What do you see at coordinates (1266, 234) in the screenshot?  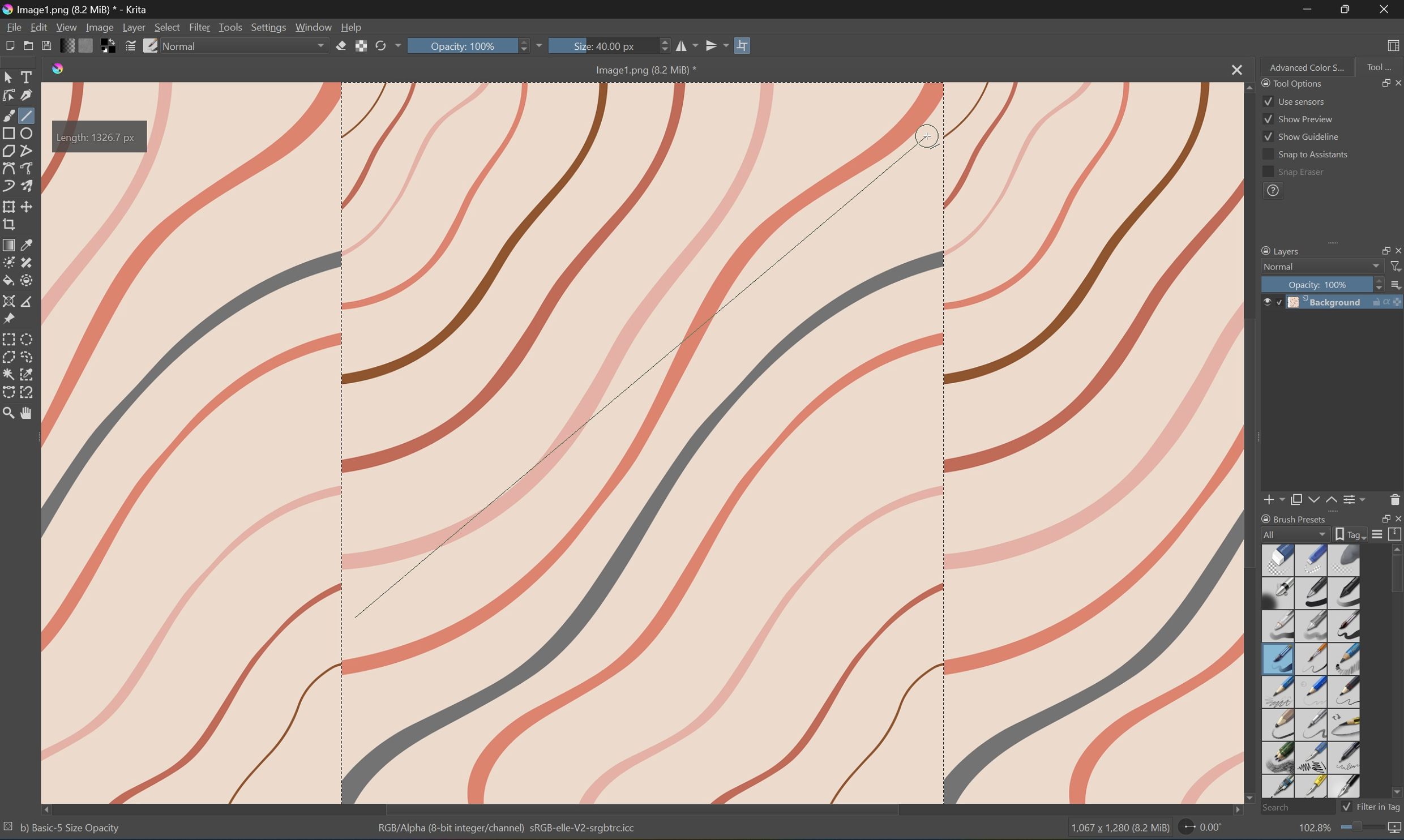 I see `Scroll Left` at bounding box center [1266, 234].